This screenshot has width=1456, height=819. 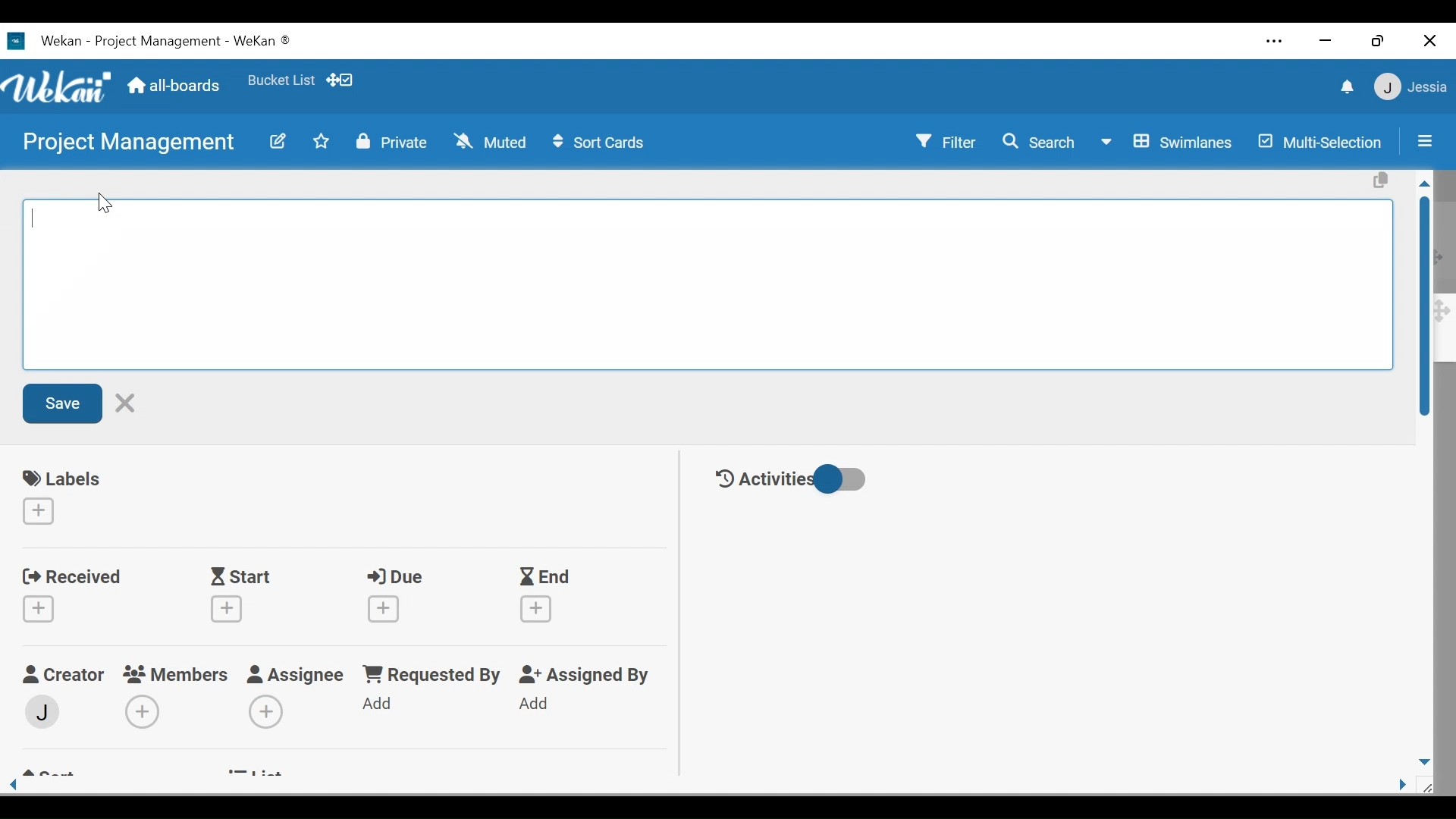 I want to click on Toggle show/hide activities, so click(x=843, y=481).